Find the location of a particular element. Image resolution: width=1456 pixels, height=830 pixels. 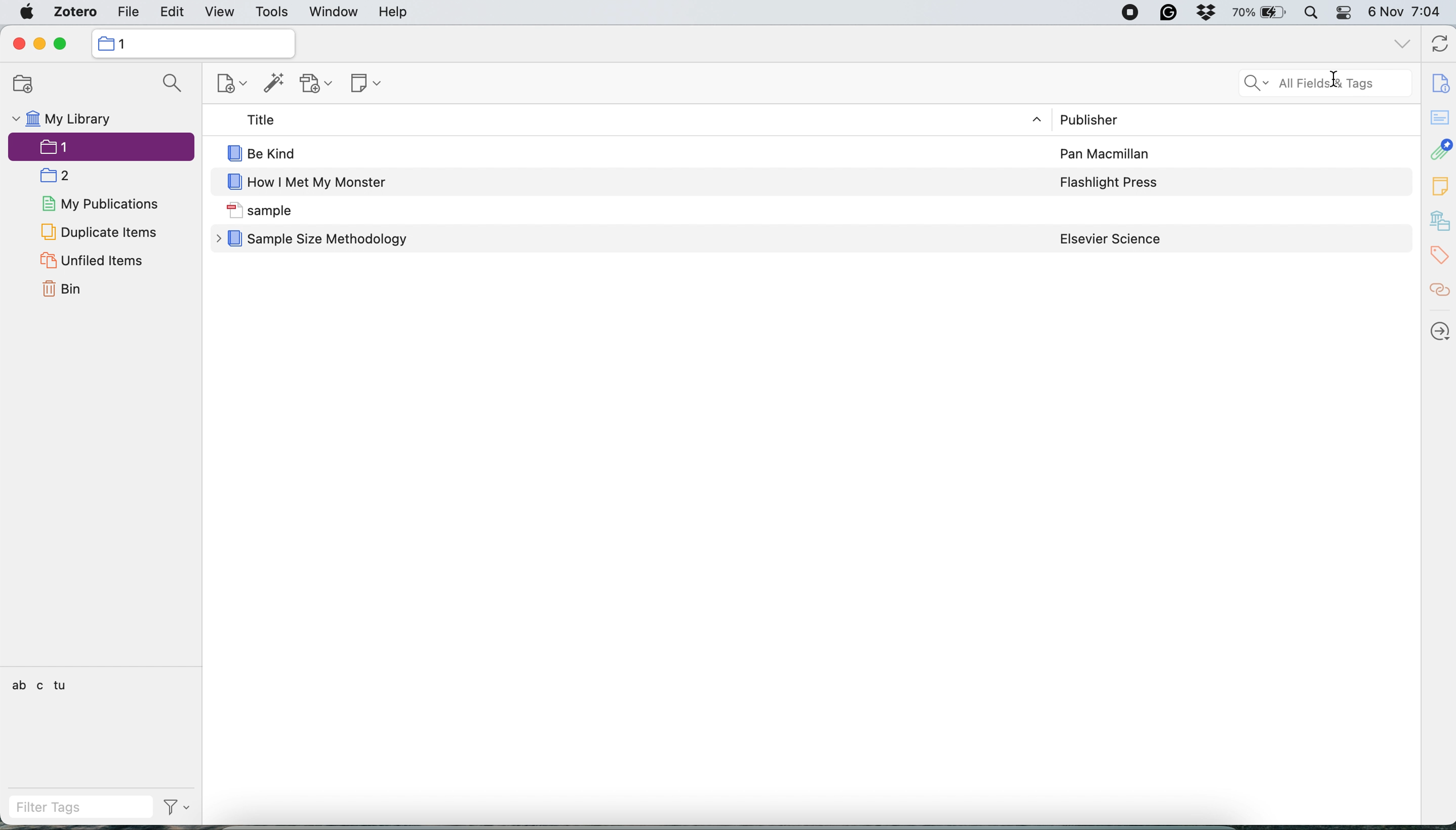

unfiled items is located at coordinates (93, 260).